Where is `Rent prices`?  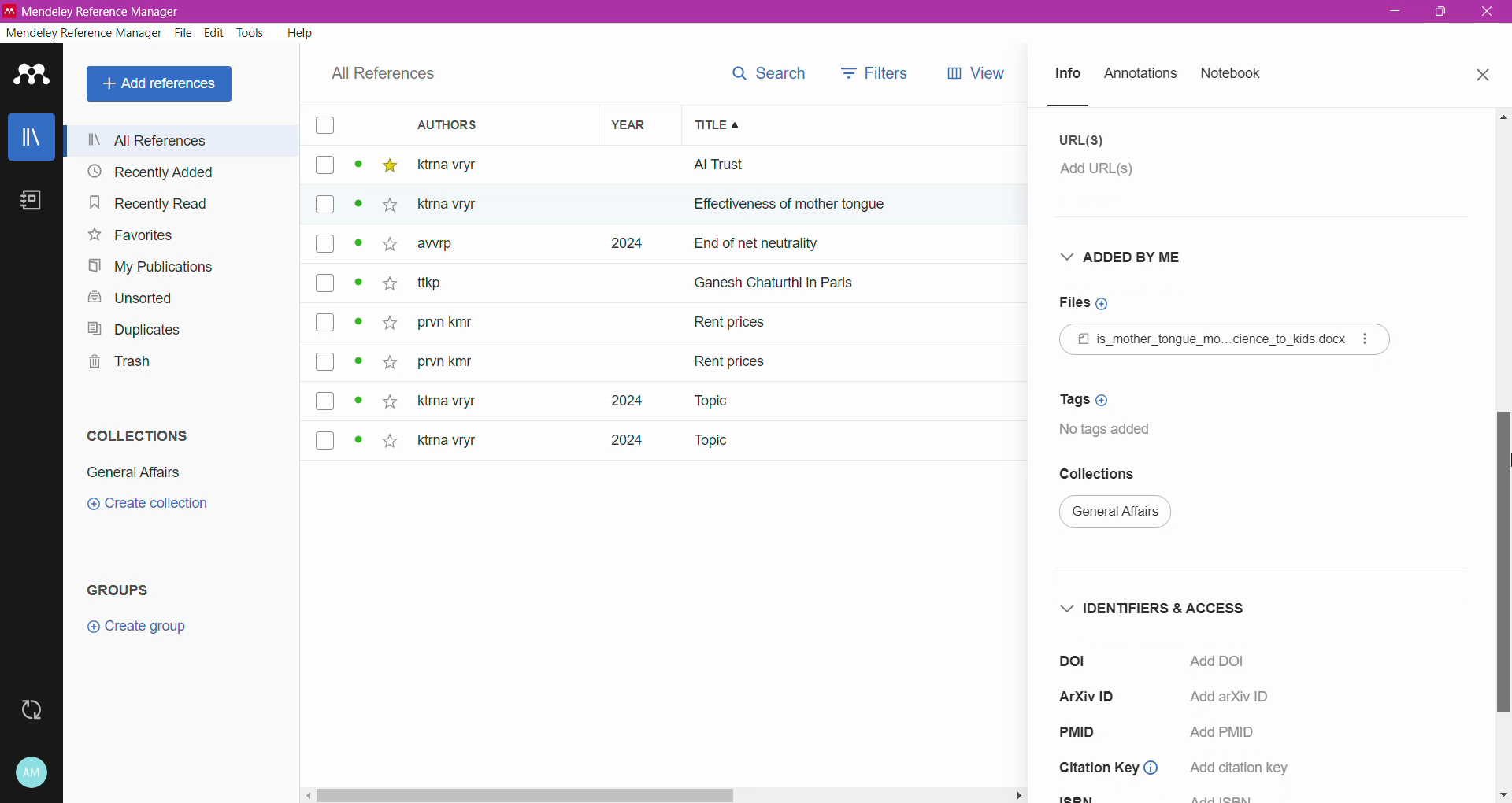 Rent prices is located at coordinates (732, 325).